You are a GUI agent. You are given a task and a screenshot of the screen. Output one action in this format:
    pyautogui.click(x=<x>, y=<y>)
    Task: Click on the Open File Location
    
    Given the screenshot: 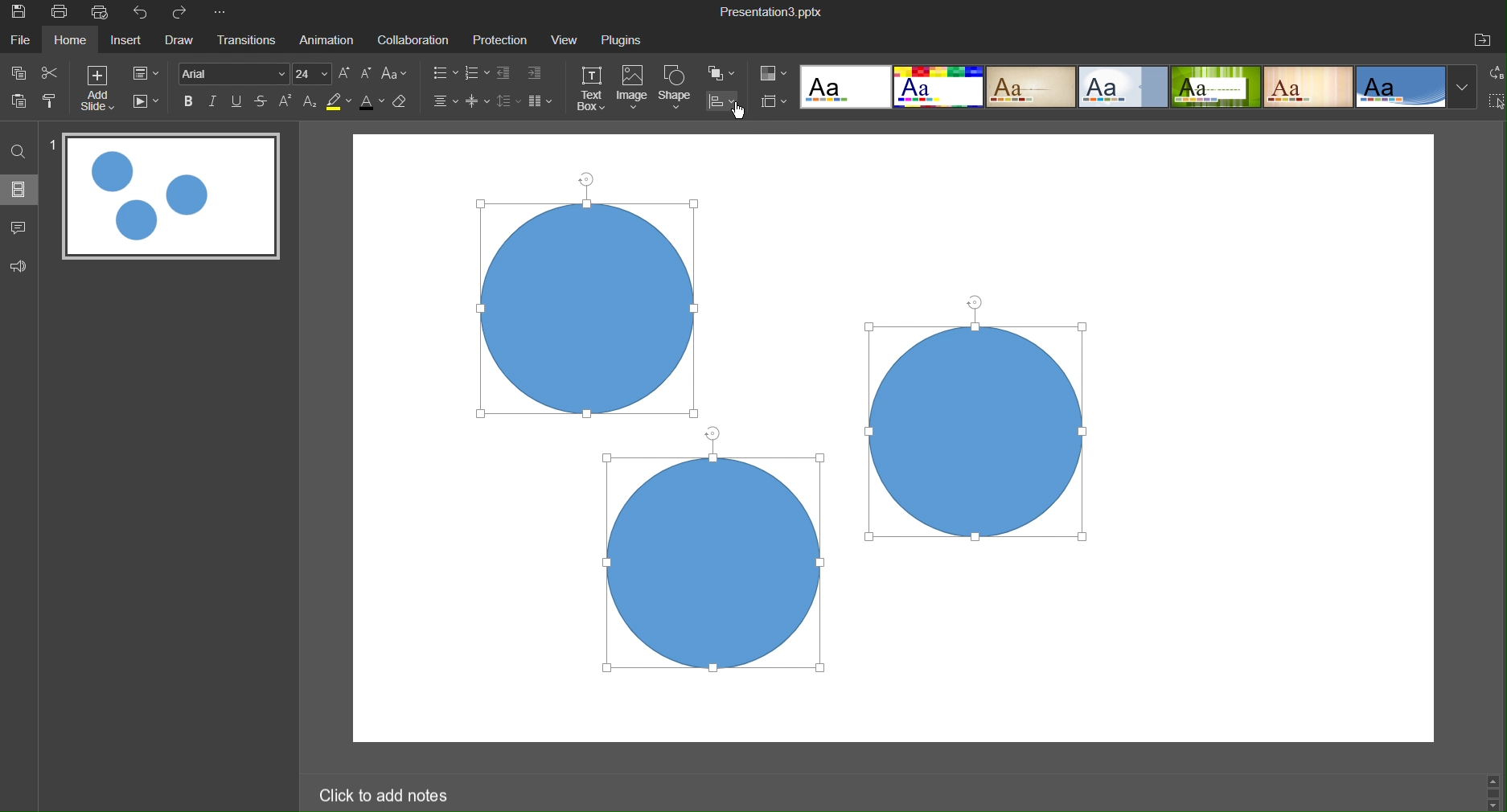 What is the action you would take?
    pyautogui.click(x=1485, y=39)
    